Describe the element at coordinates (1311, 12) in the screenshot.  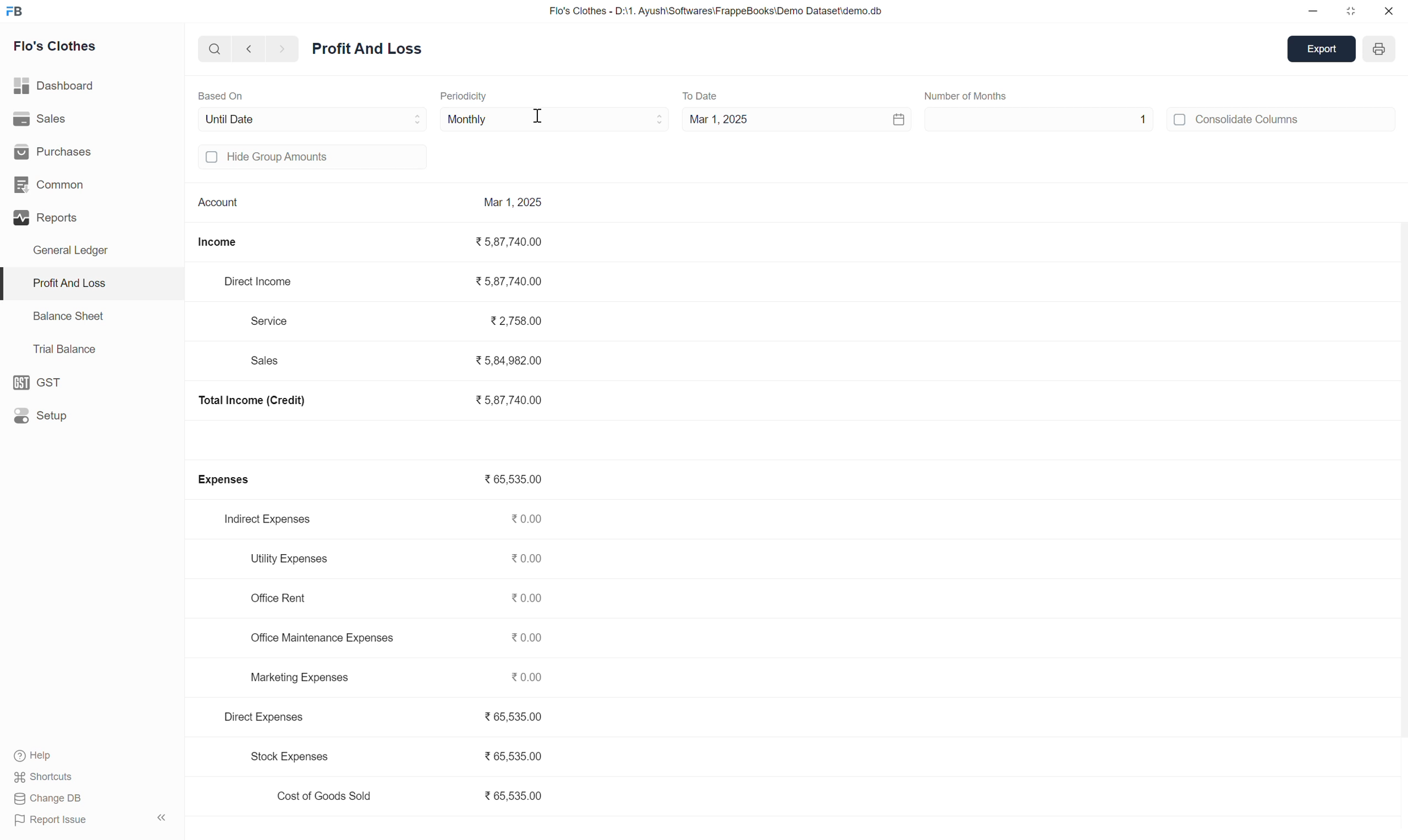
I see `minimize` at that location.